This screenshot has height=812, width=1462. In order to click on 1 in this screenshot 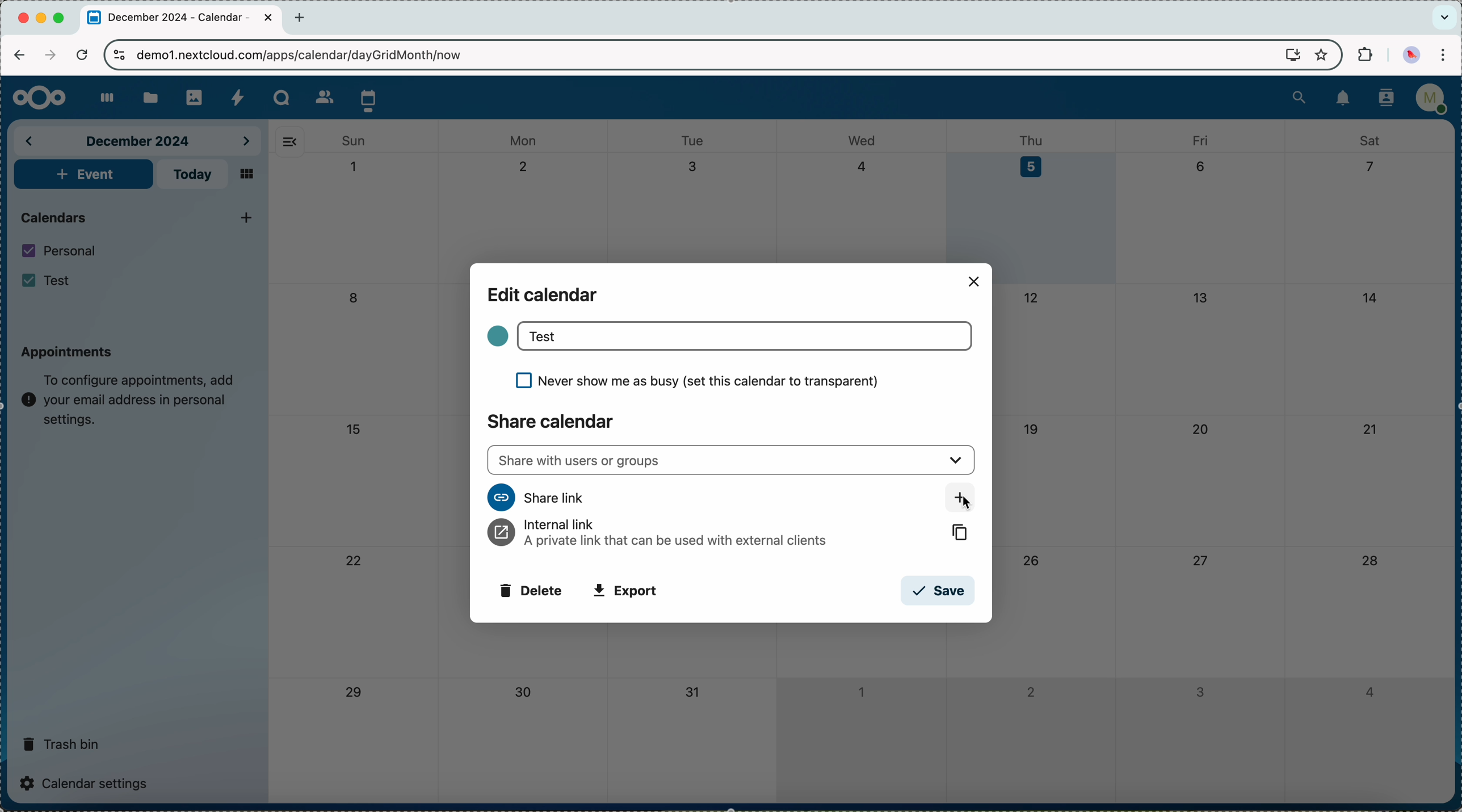, I will do `click(355, 167)`.